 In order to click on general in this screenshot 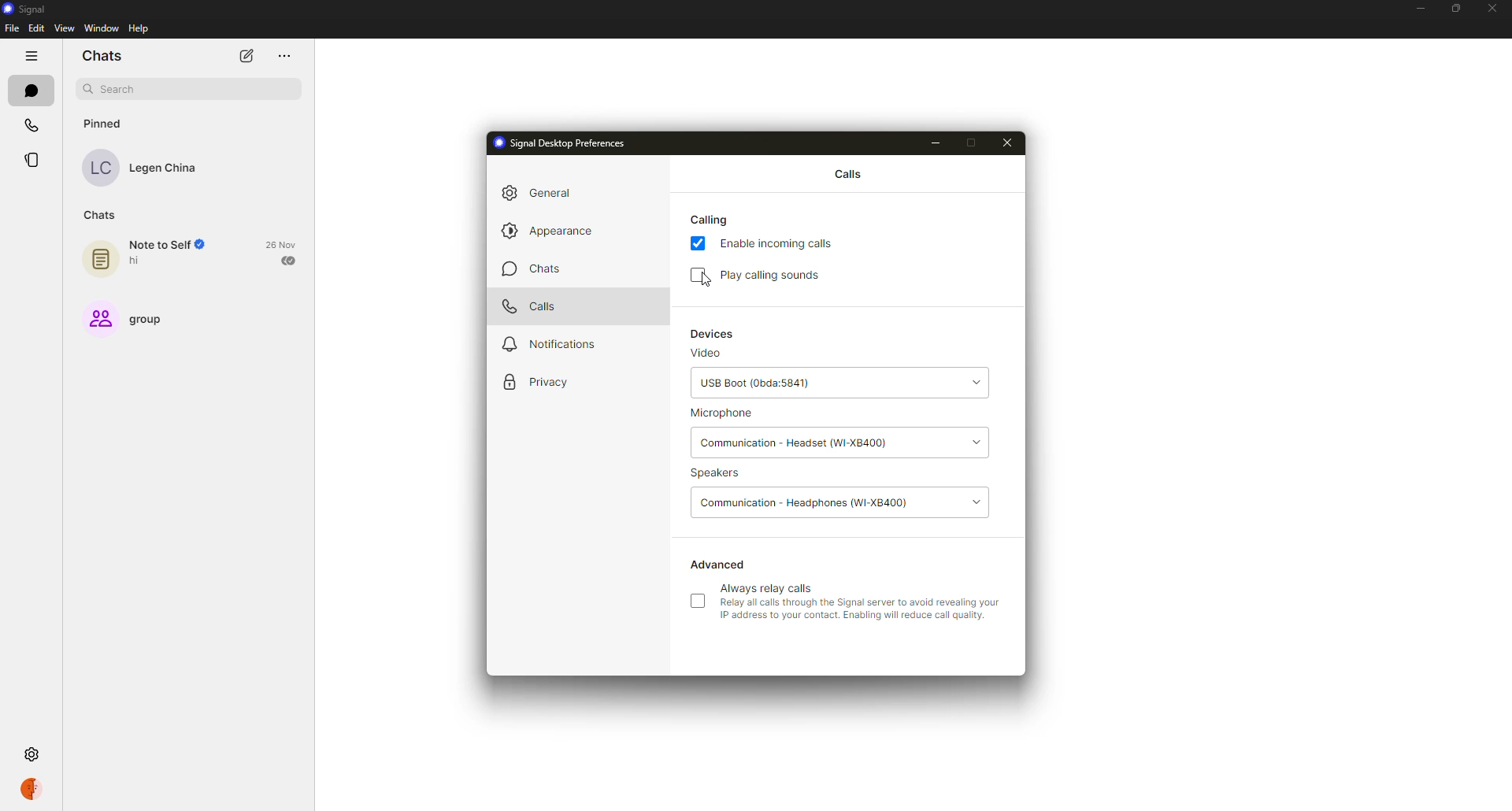, I will do `click(540, 193)`.